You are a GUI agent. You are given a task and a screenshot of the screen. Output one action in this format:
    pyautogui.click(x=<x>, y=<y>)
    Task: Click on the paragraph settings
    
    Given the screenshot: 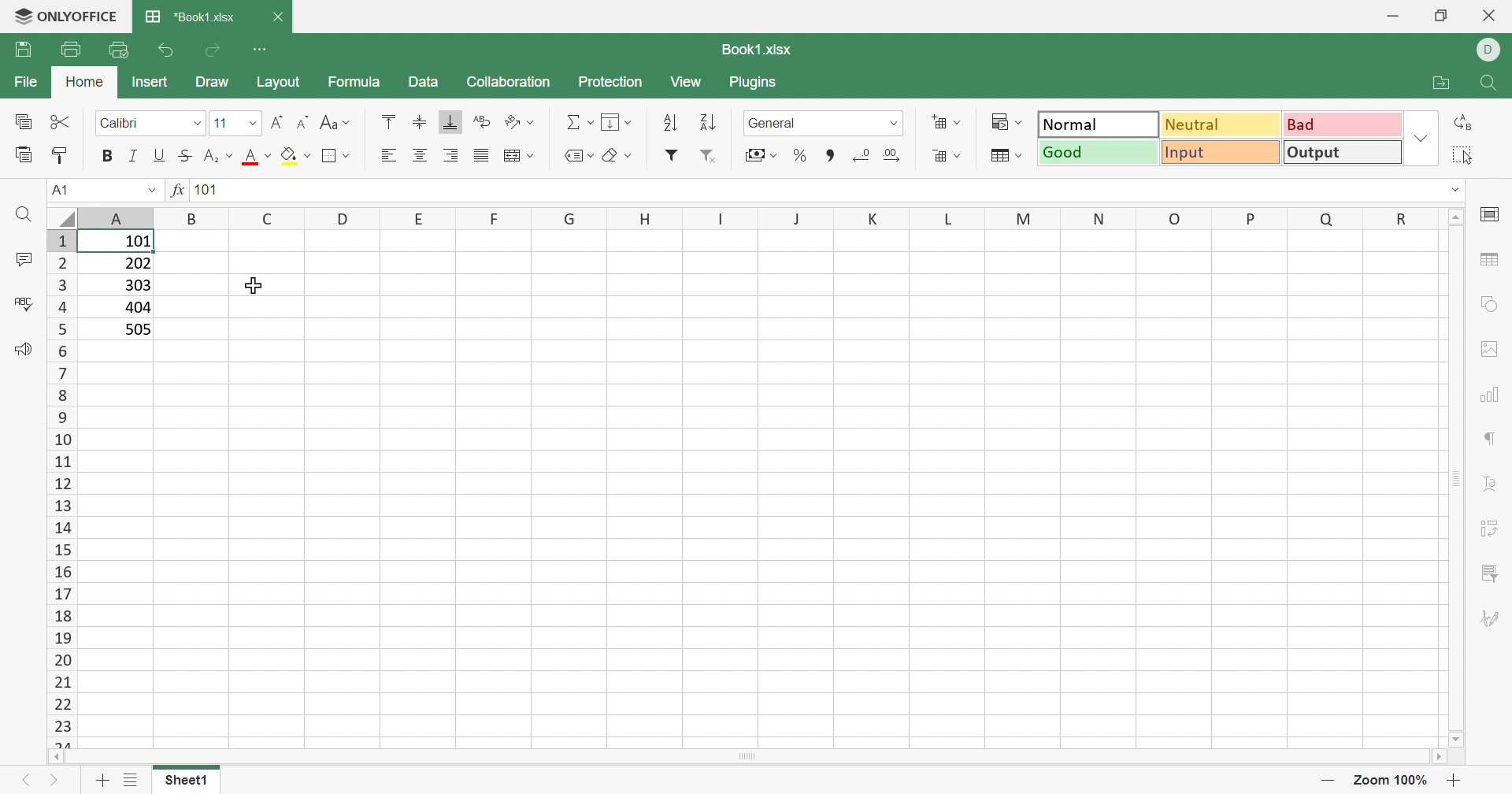 What is the action you would take?
    pyautogui.click(x=1492, y=438)
    